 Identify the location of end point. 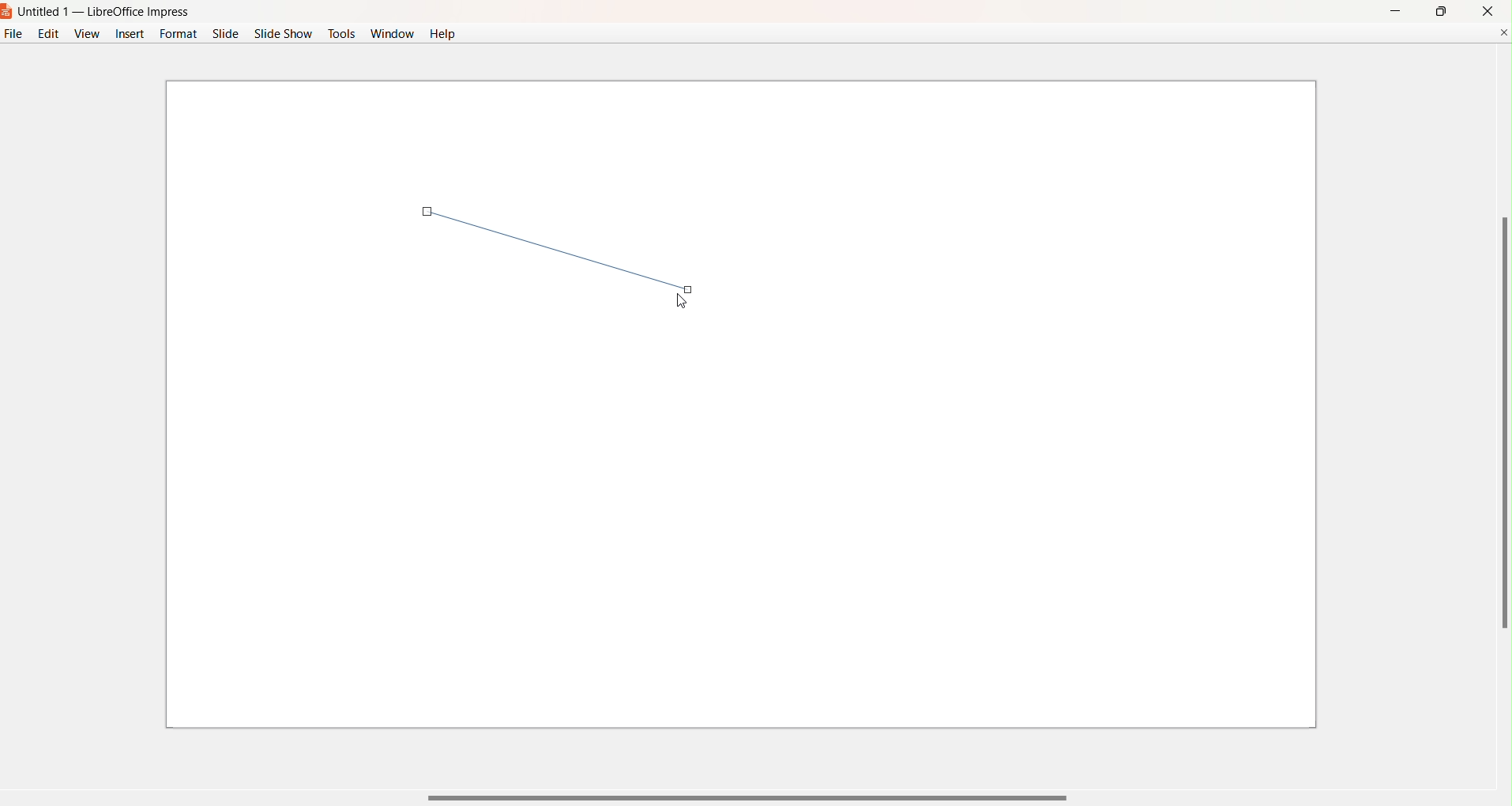
(688, 284).